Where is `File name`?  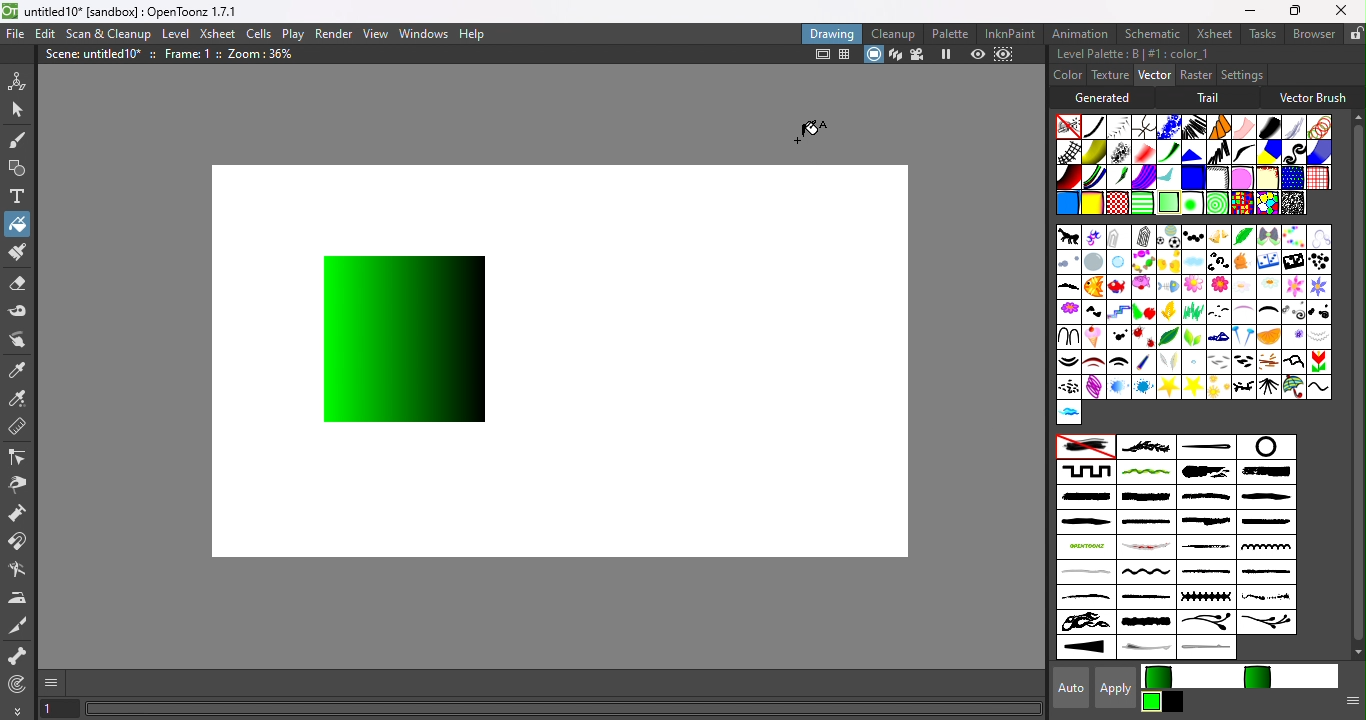
File name is located at coordinates (139, 12).